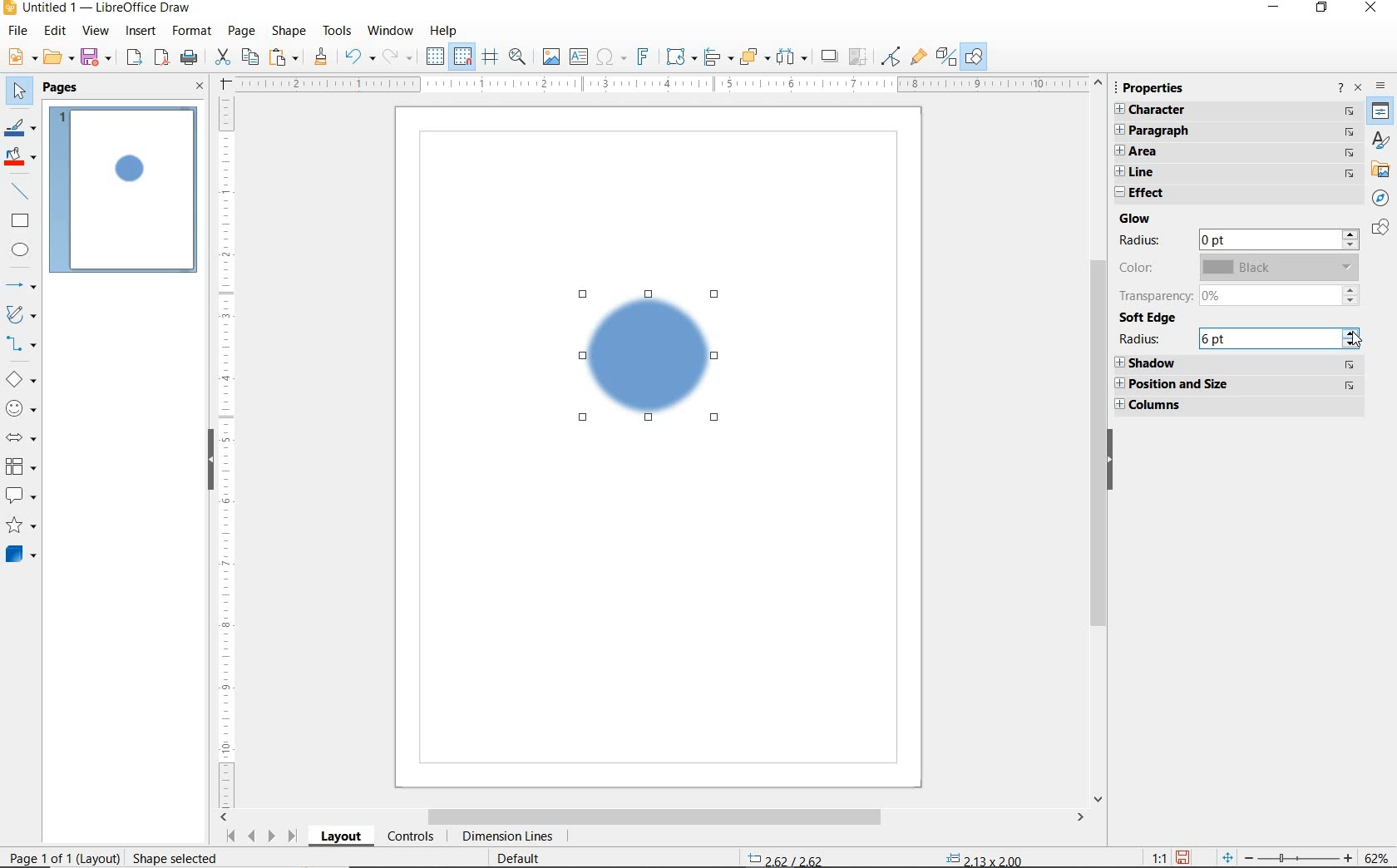 The width and height of the screenshot is (1397, 868). I want to click on ARRANGE, so click(754, 56).